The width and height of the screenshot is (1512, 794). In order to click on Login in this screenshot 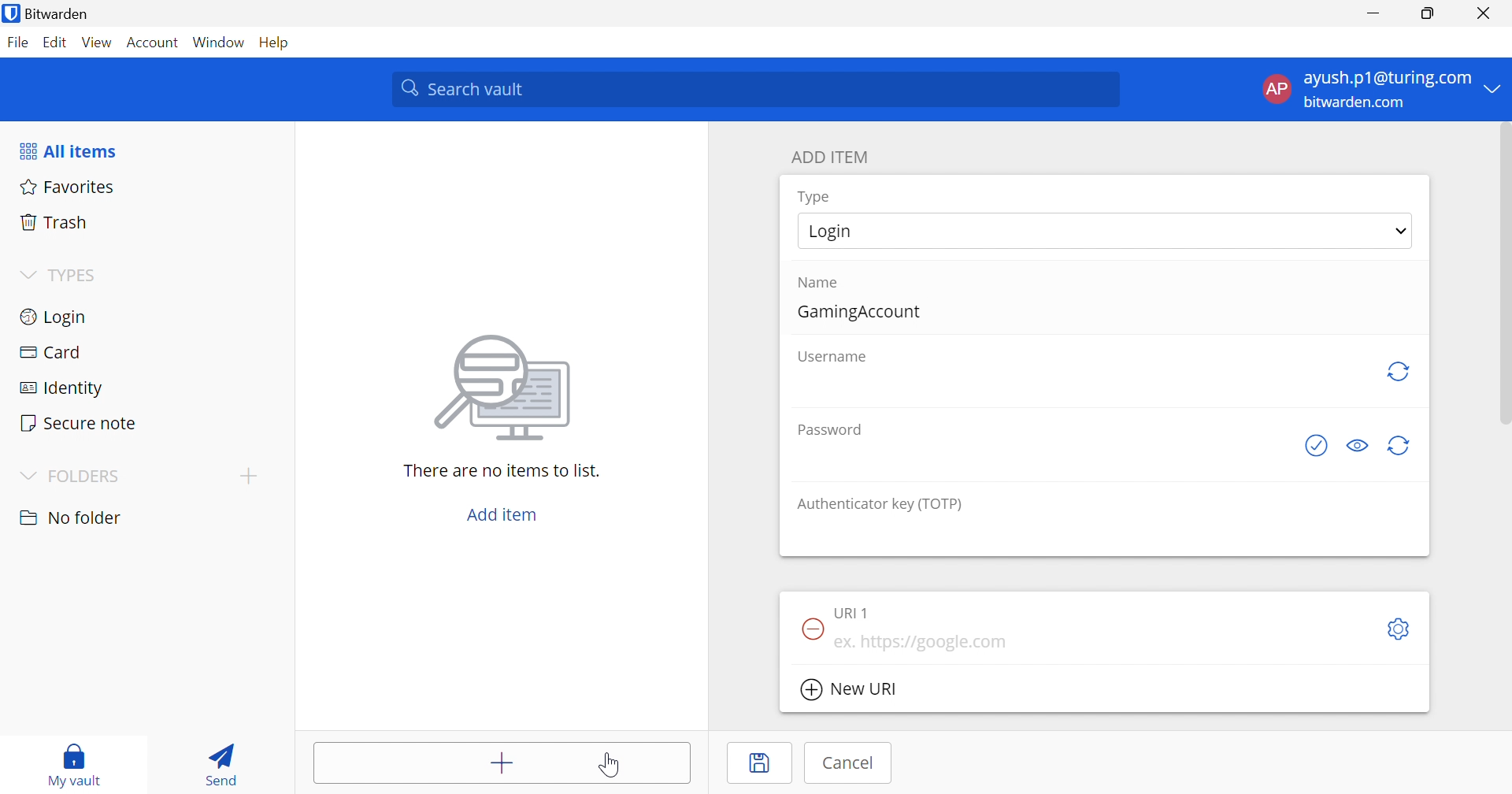, I will do `click(55, 317)`.